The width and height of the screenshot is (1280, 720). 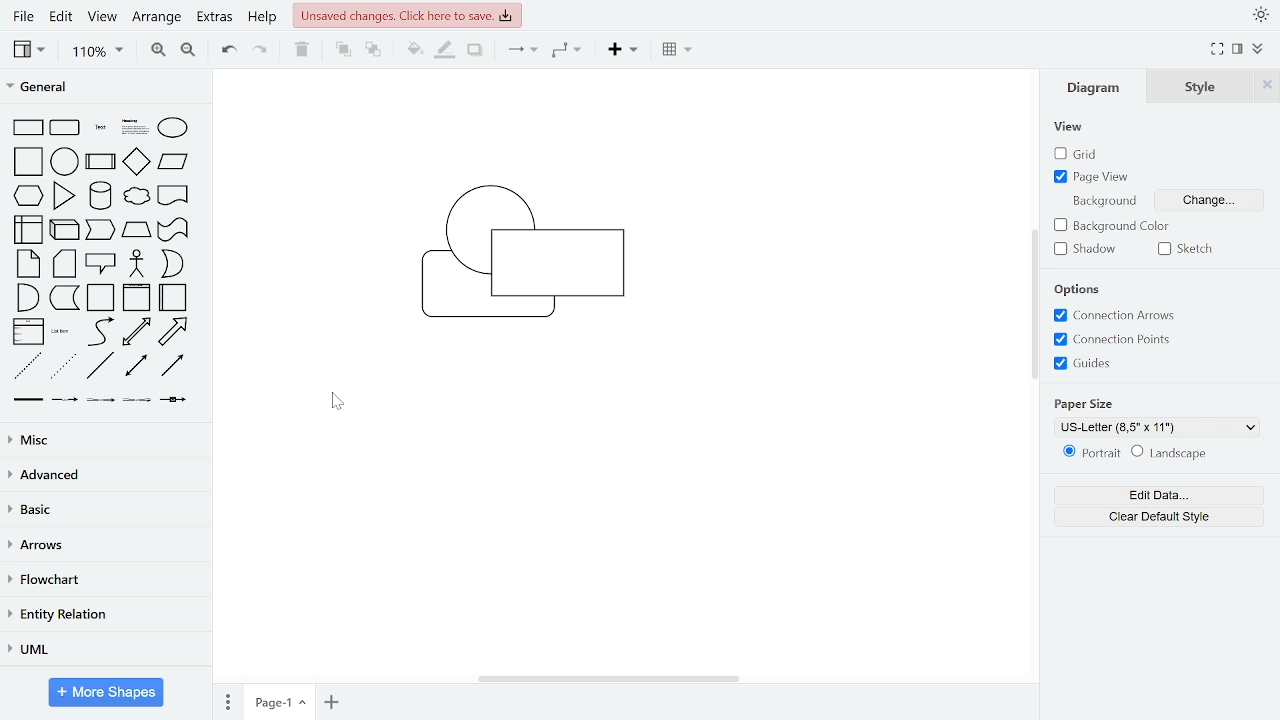 I want to click on zoom out, so click(x=190, y=51).